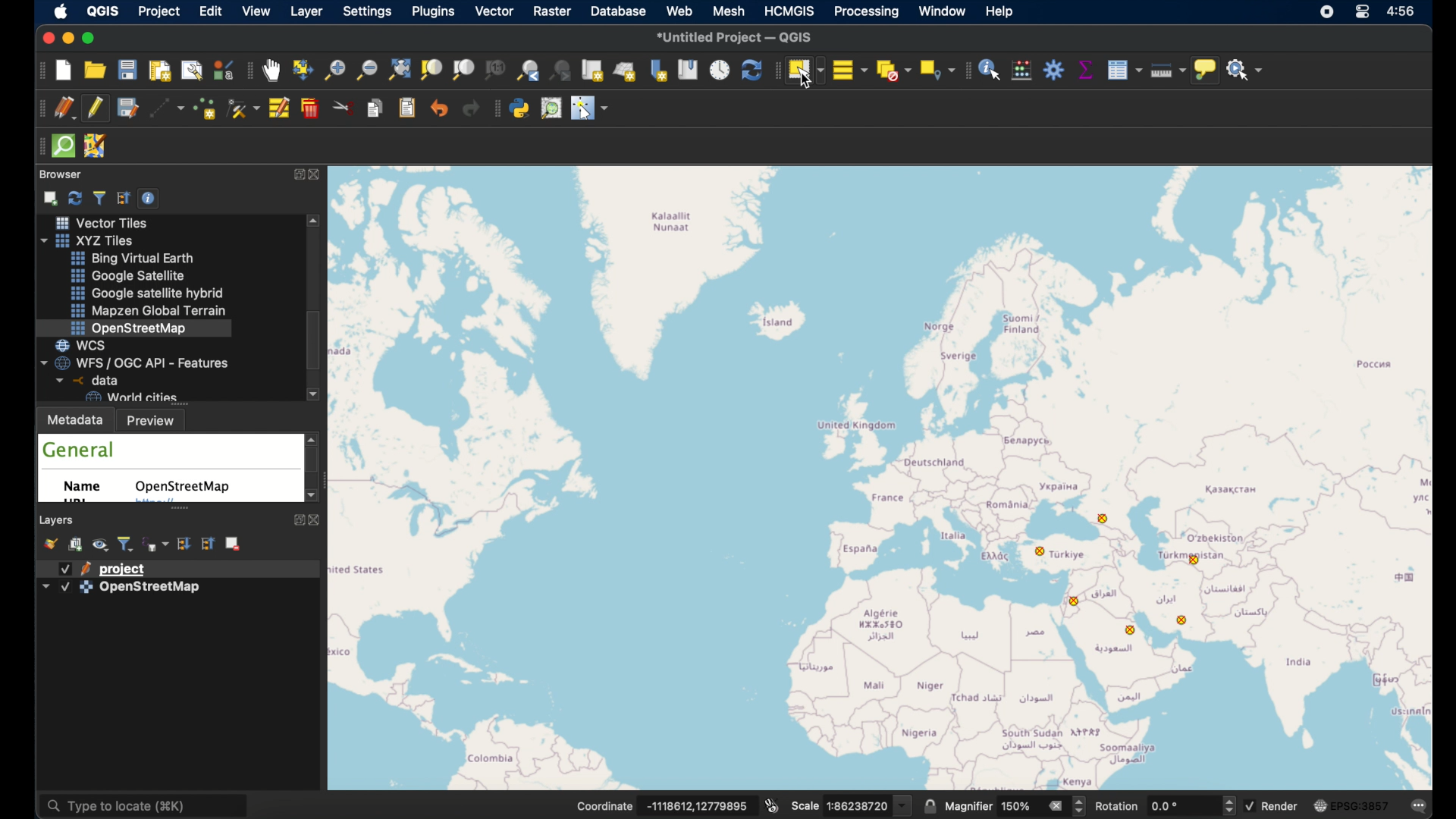  I want to click on zoom out, so click(366, 69).